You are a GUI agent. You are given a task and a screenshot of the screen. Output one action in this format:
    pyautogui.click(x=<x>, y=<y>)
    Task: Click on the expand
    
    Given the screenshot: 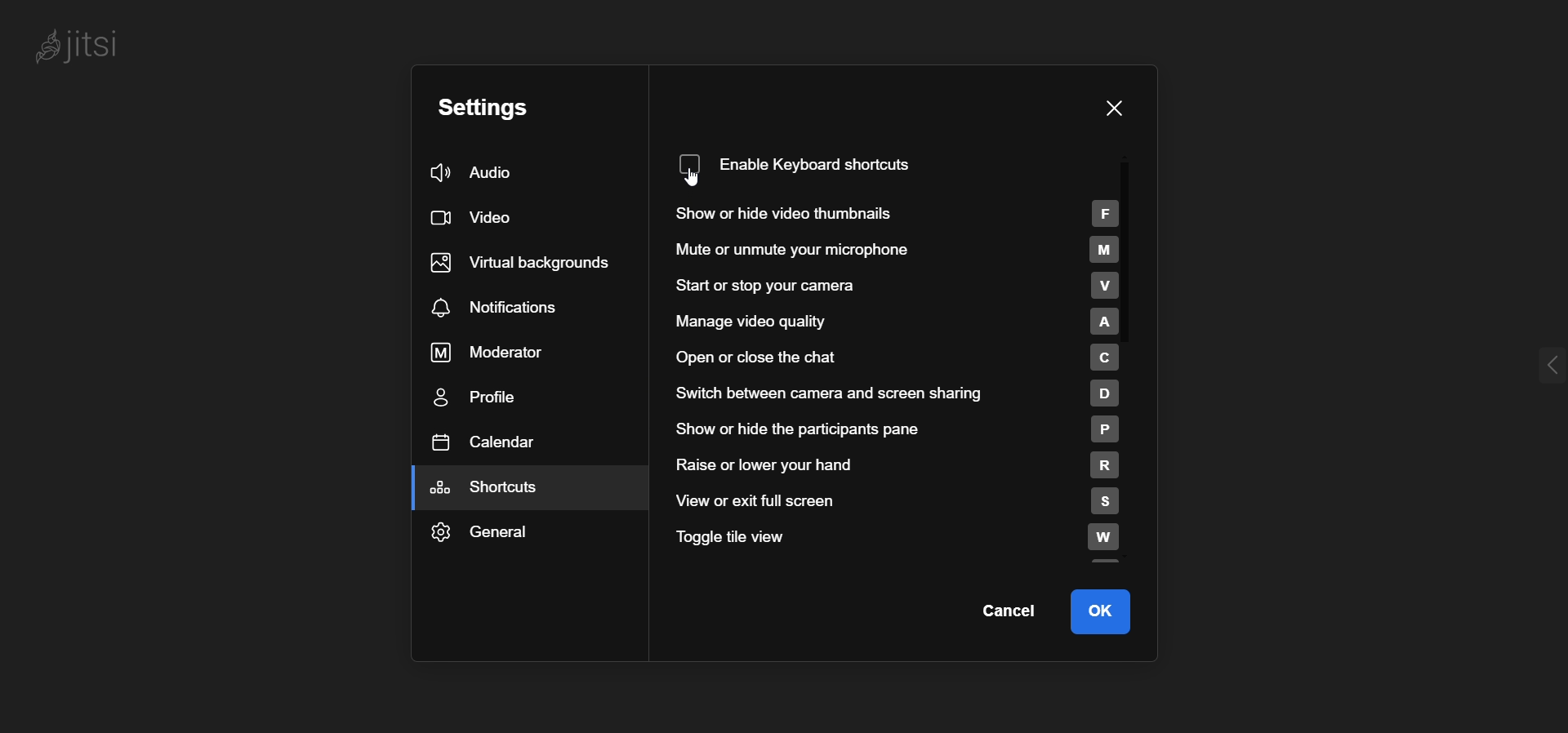 What is the action you would take?
    pyautogui.click(x=1530, y=367)
    